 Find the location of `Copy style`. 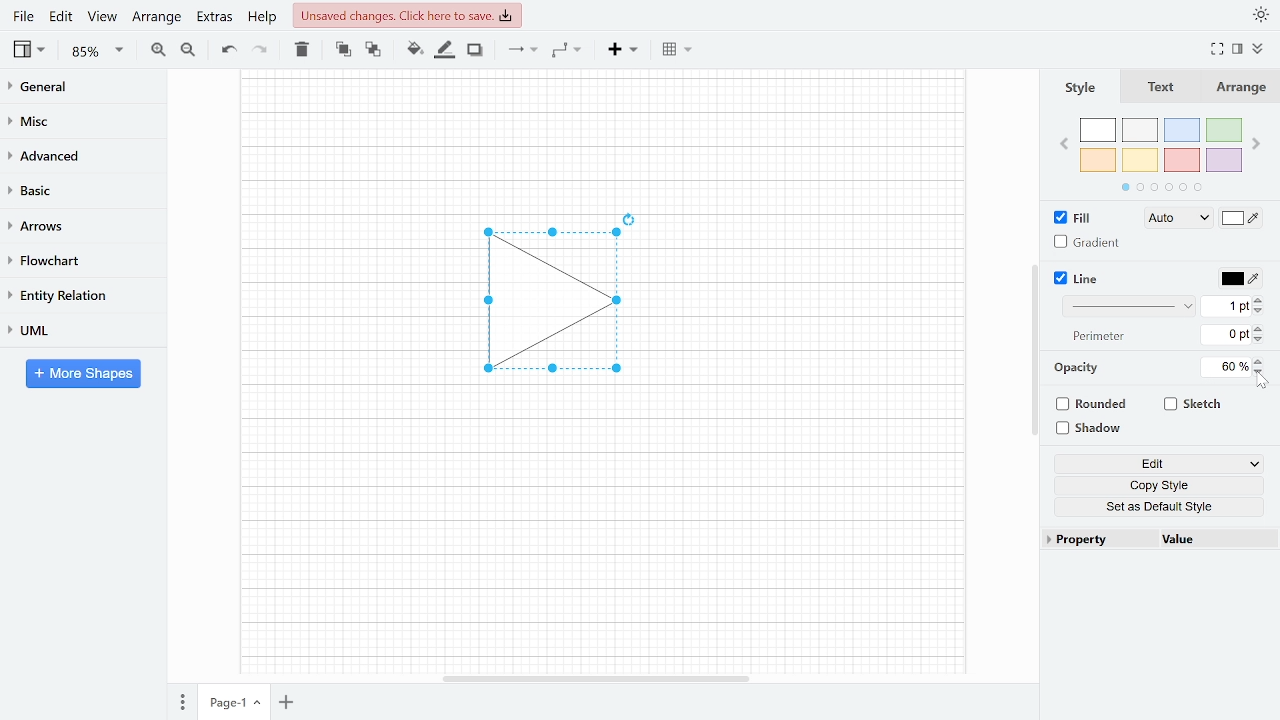

Copy style is located at coordinates (1163, 486).